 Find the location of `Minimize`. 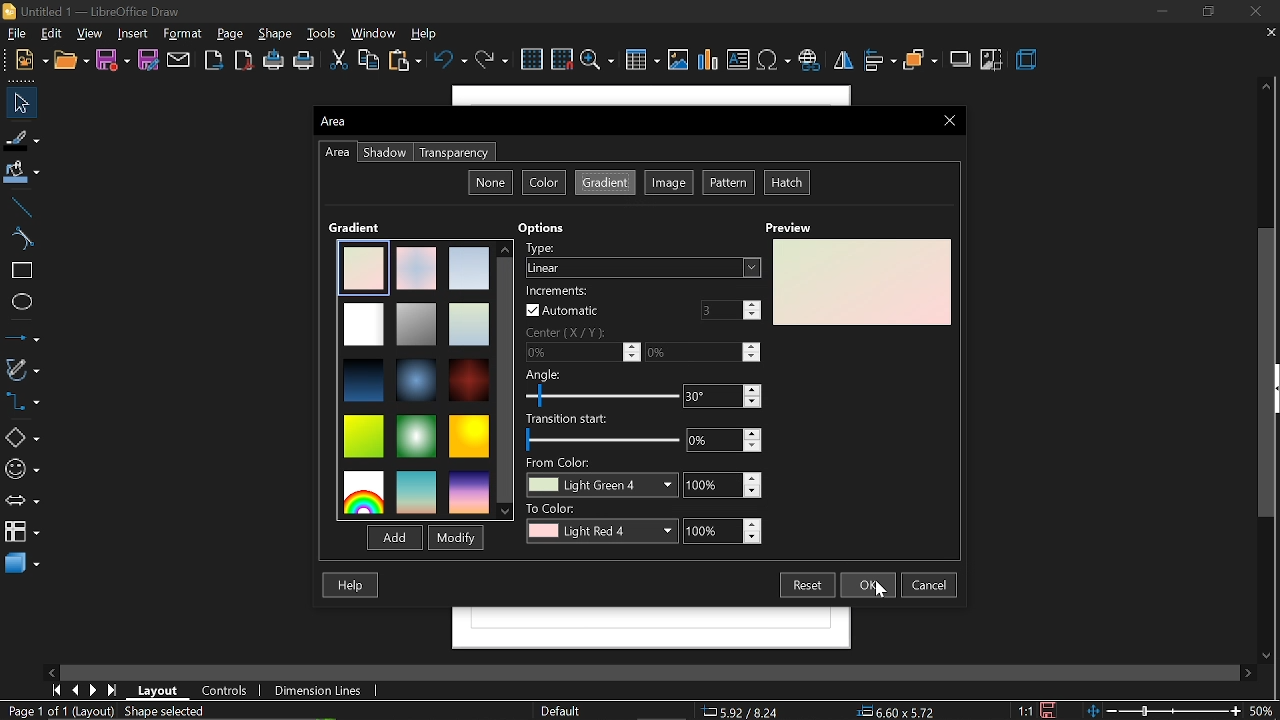

Minimize is located at coordinates (1159, 11).